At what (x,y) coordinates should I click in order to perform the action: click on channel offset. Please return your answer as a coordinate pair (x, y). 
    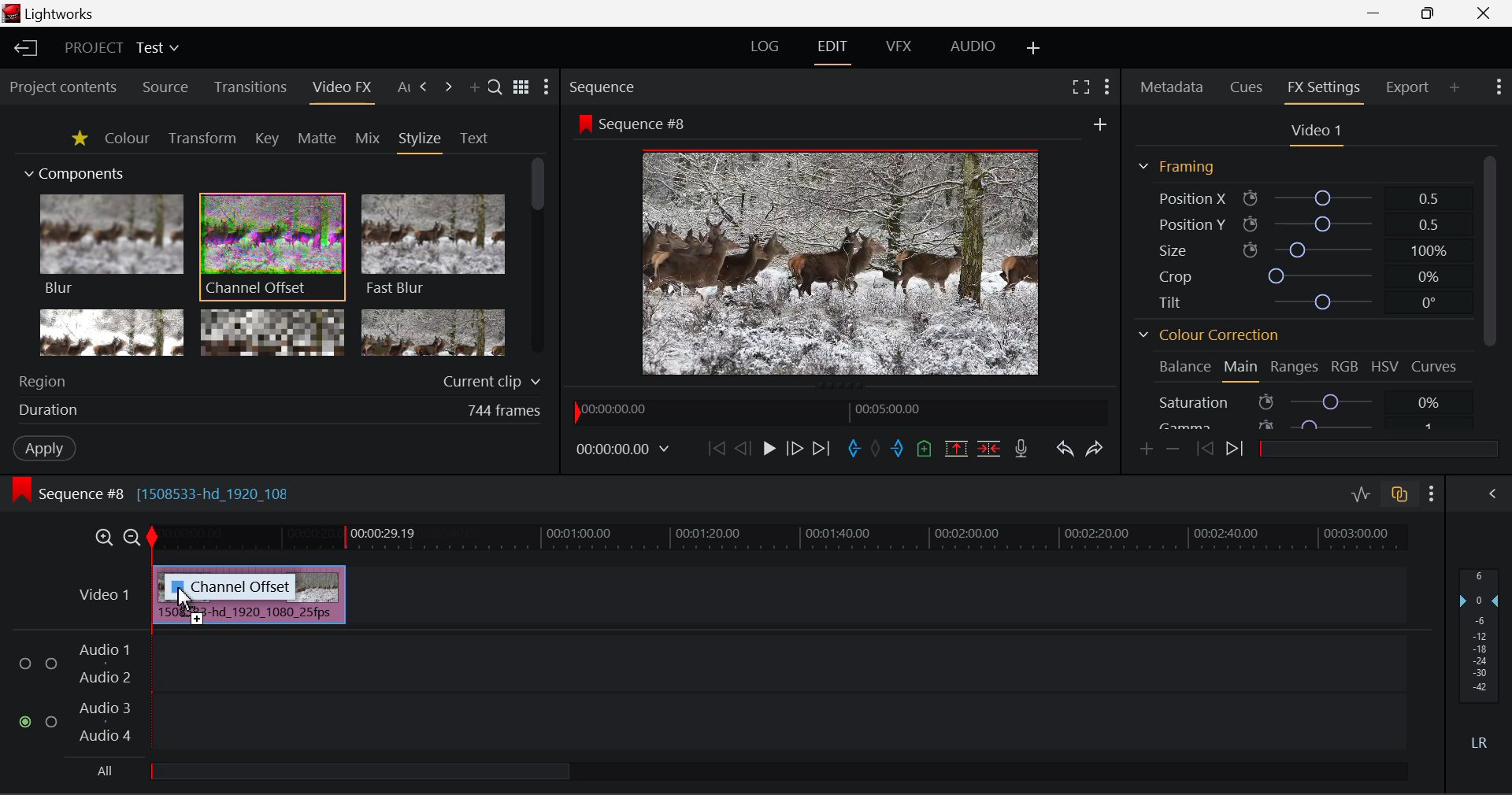
    Looking at the image, I should click on (234, 585).